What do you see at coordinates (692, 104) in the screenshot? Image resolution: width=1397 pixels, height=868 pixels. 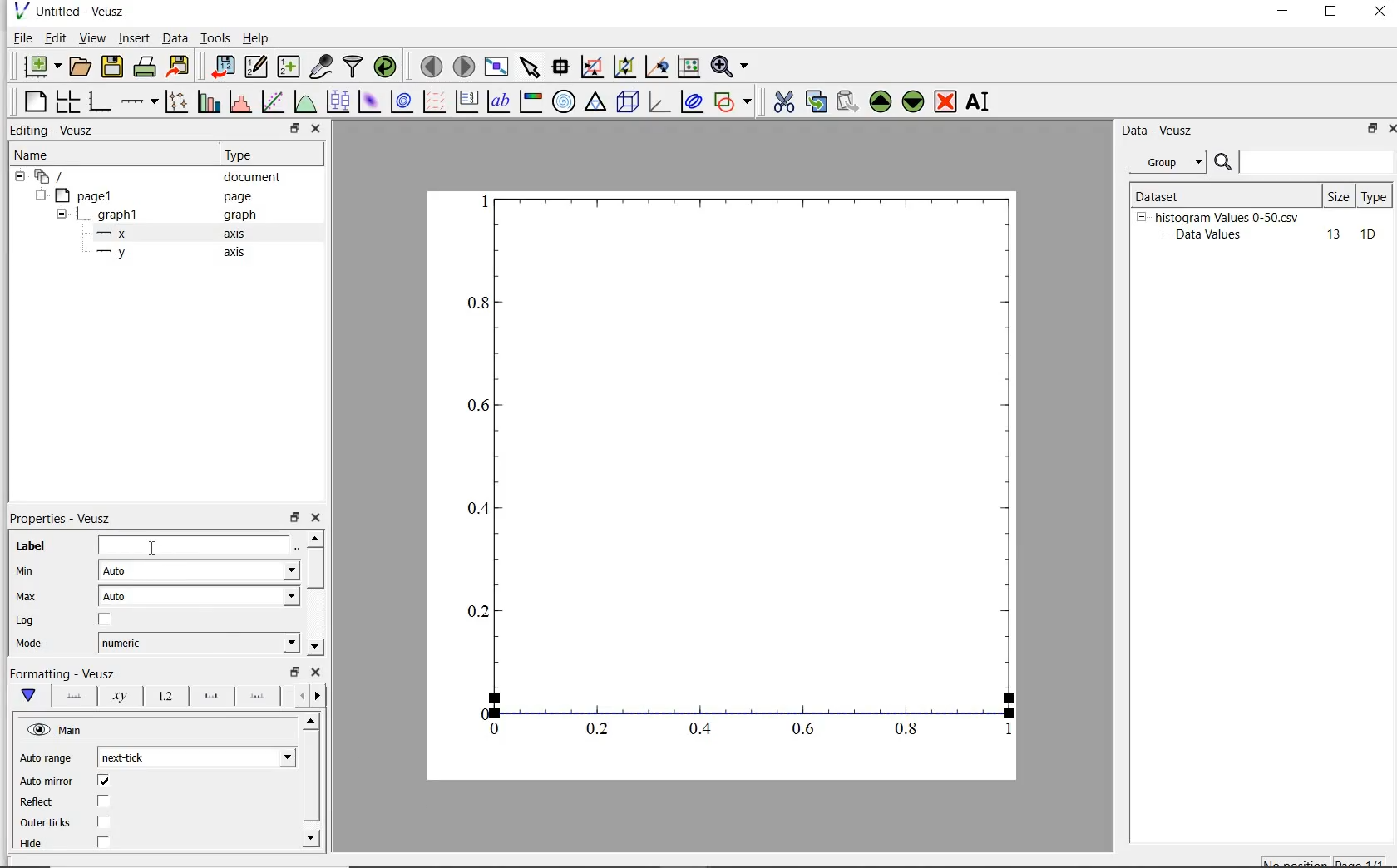 I see `plot covariance ellipse` at bounding box center [692, 104].